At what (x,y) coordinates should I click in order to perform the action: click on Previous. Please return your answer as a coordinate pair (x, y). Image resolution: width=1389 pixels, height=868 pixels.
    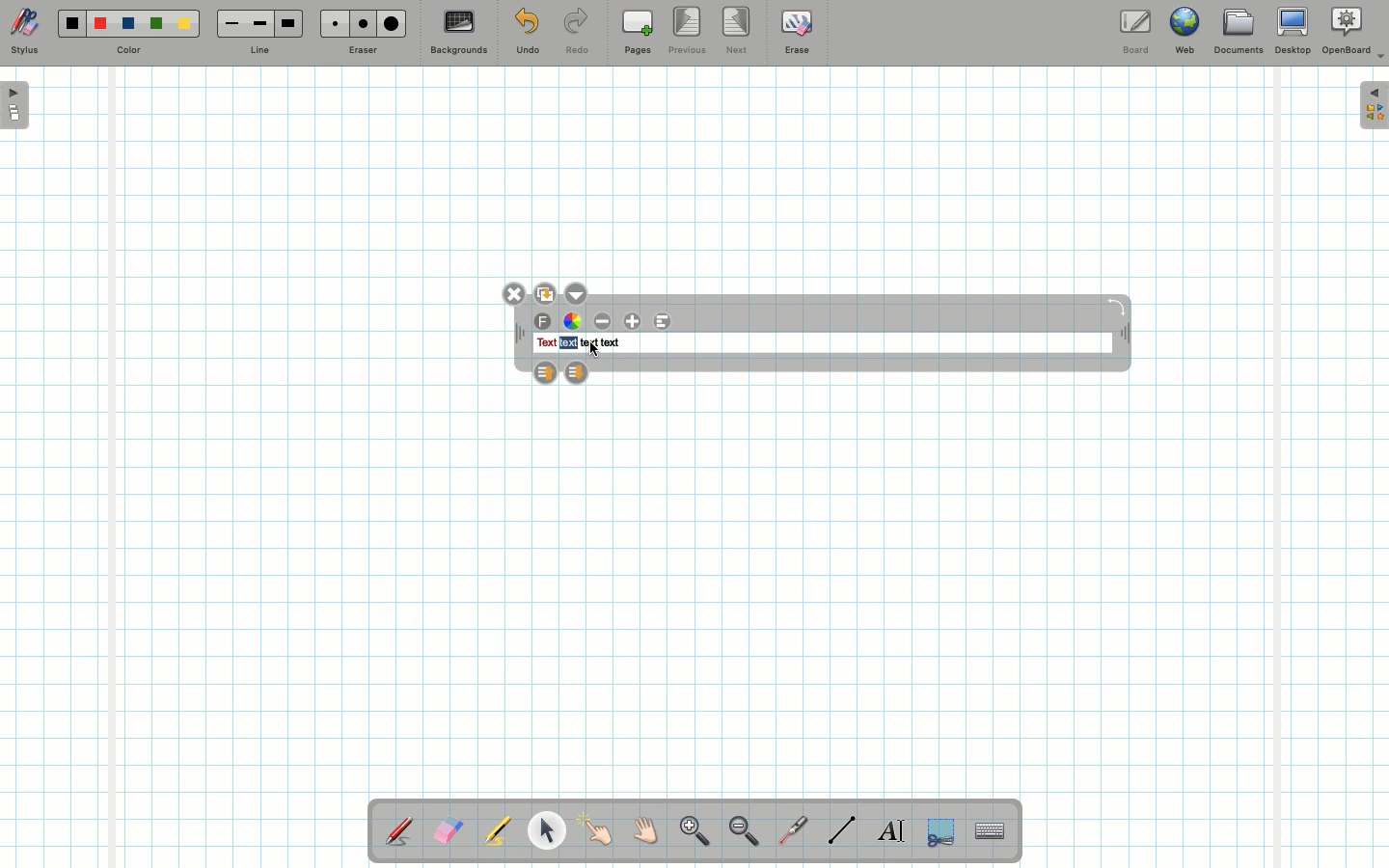
    Looking at the image, I should click on (689, 32).